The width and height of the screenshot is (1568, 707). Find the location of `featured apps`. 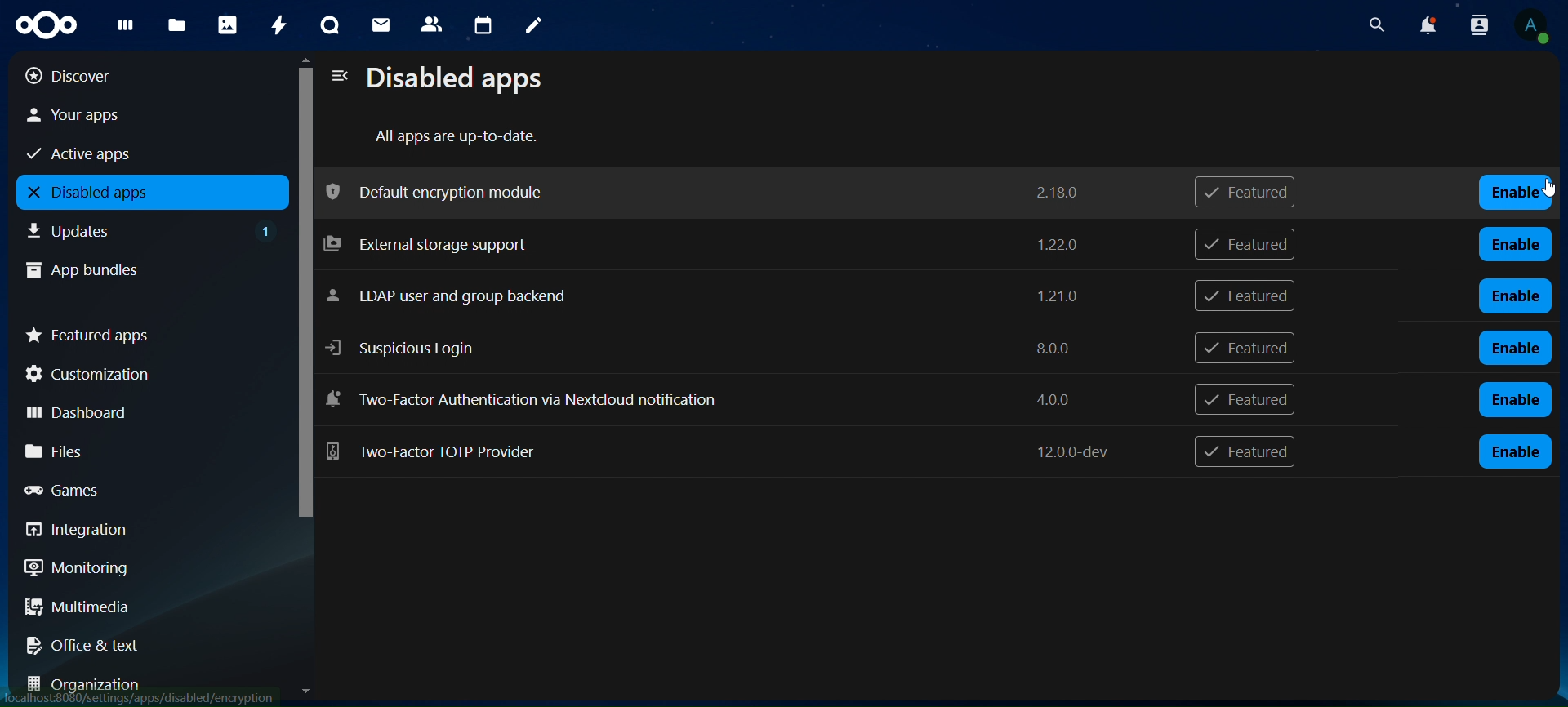

featured apps is located at coordinates (145, 332).